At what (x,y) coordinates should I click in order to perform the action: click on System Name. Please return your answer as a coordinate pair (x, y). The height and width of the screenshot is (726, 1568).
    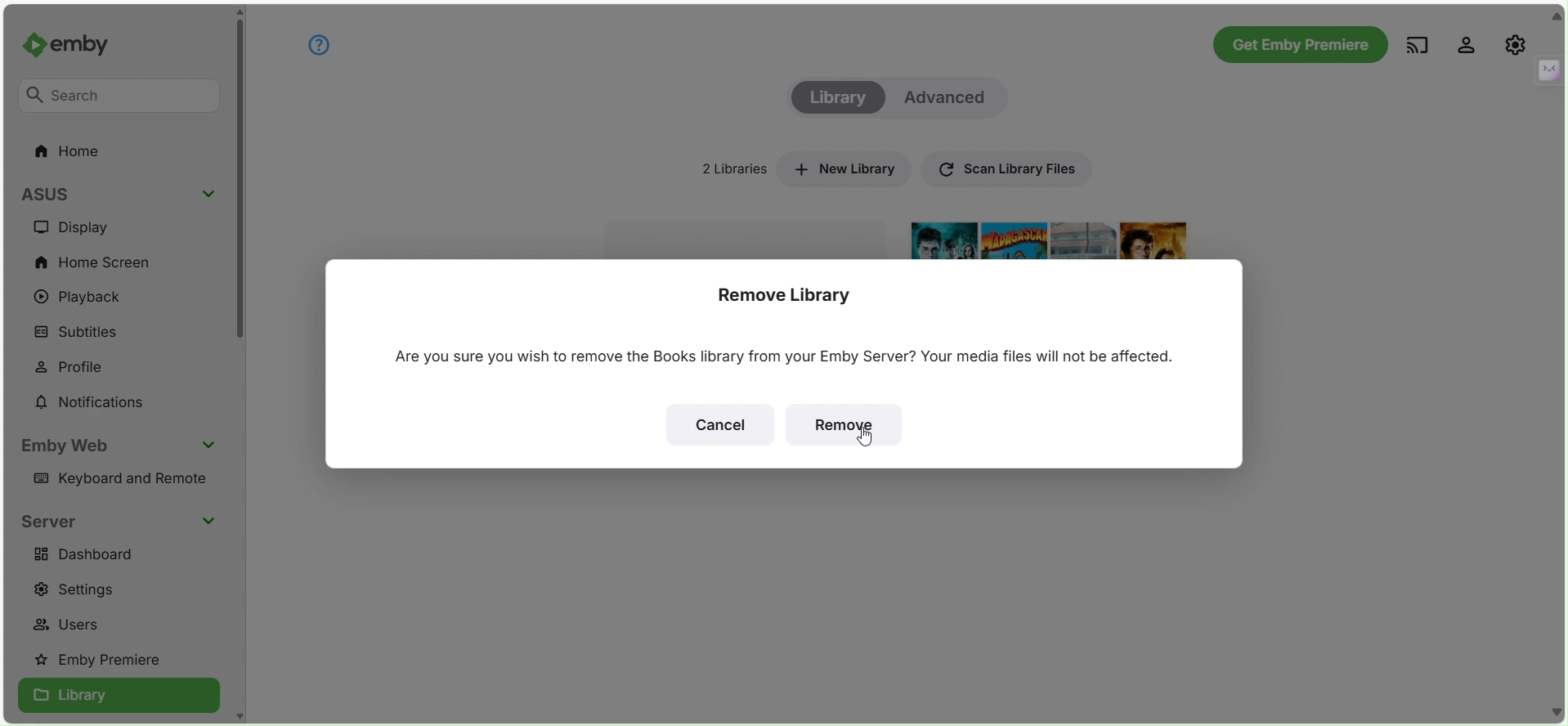
    Looking at the image, I should click on (60, 192).